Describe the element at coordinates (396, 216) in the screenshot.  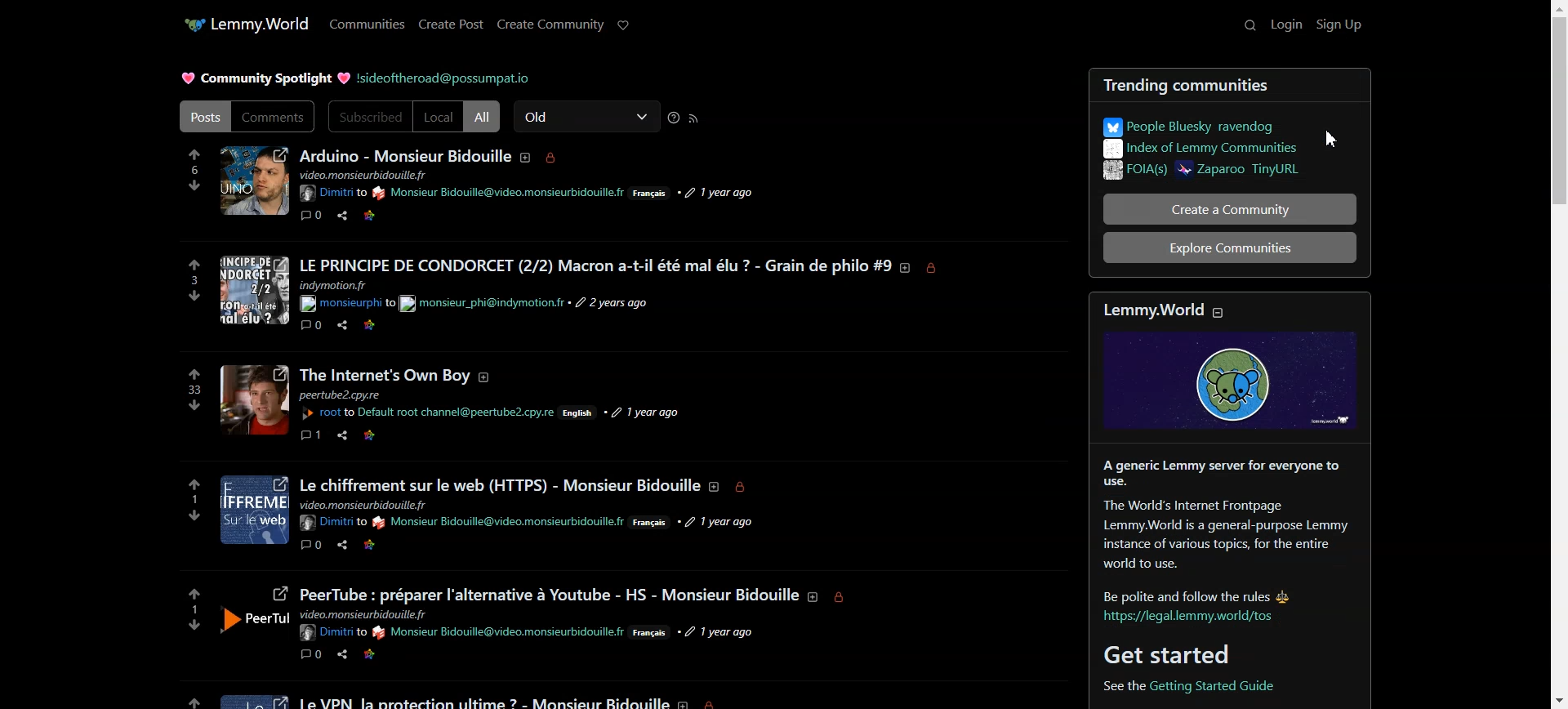
I see `Save` at that location.